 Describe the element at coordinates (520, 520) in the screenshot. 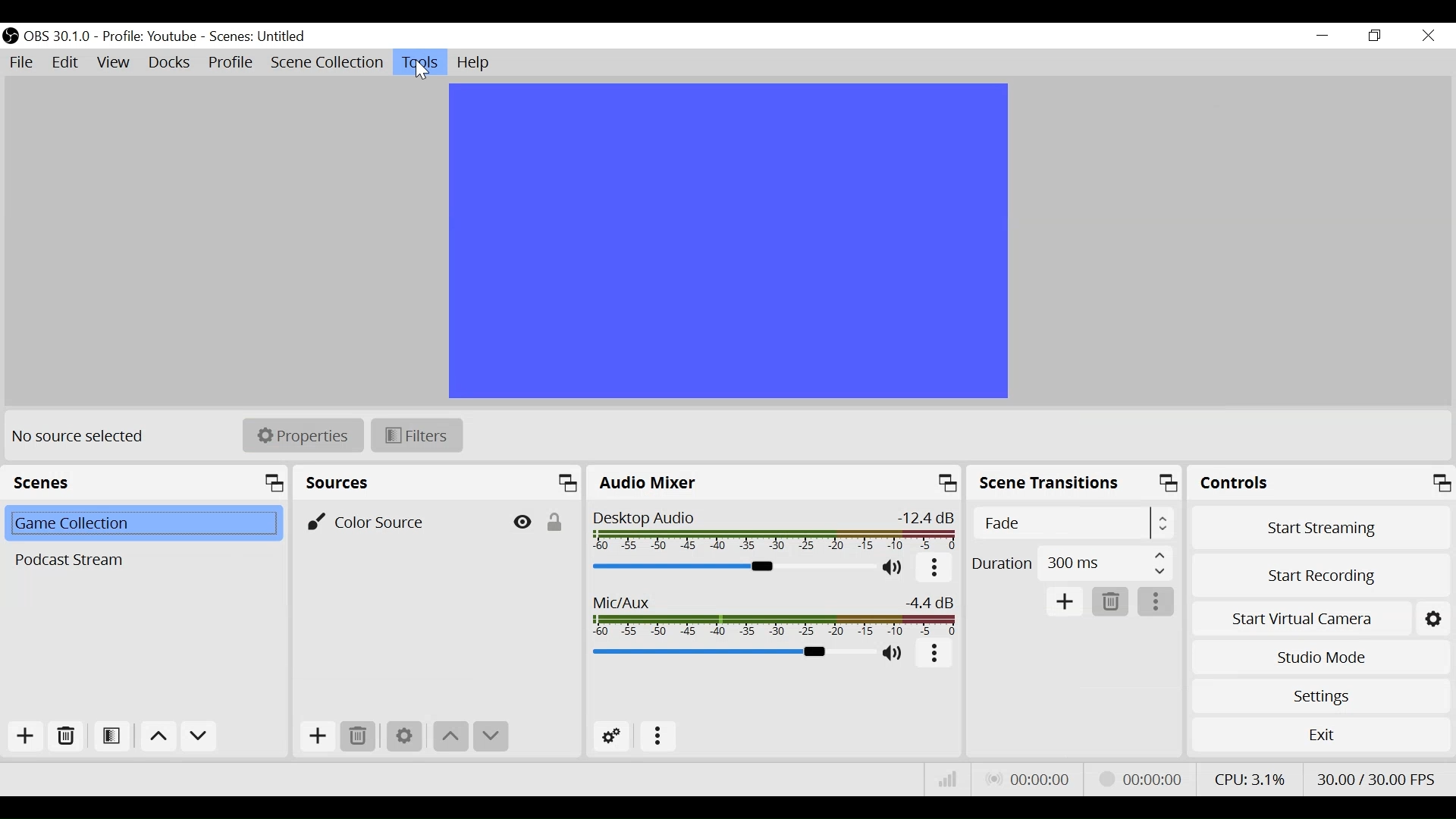

I see `Hide/Display` at that location.